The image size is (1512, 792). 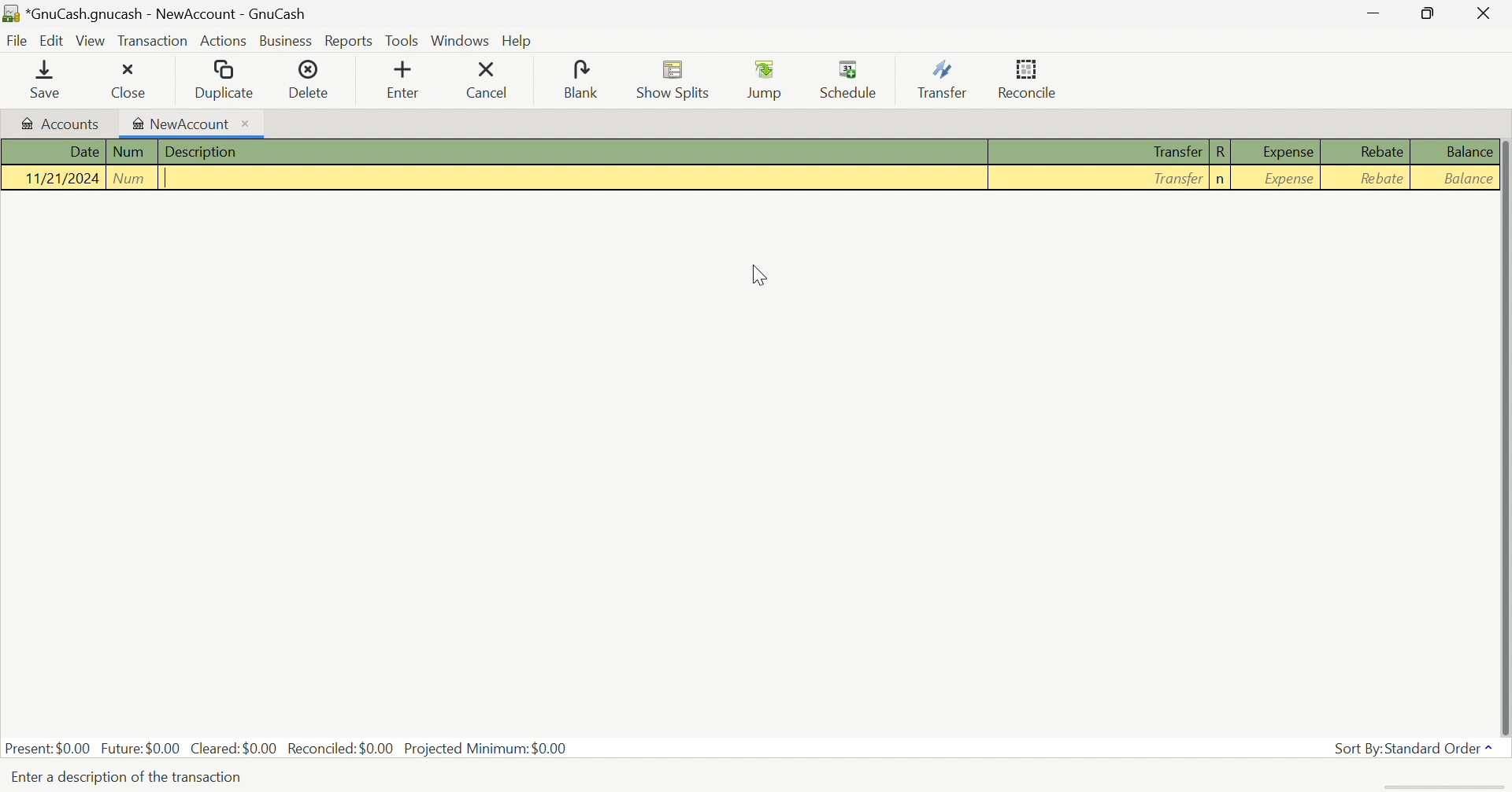 I want to click on Description, so click(x=199, y=152).